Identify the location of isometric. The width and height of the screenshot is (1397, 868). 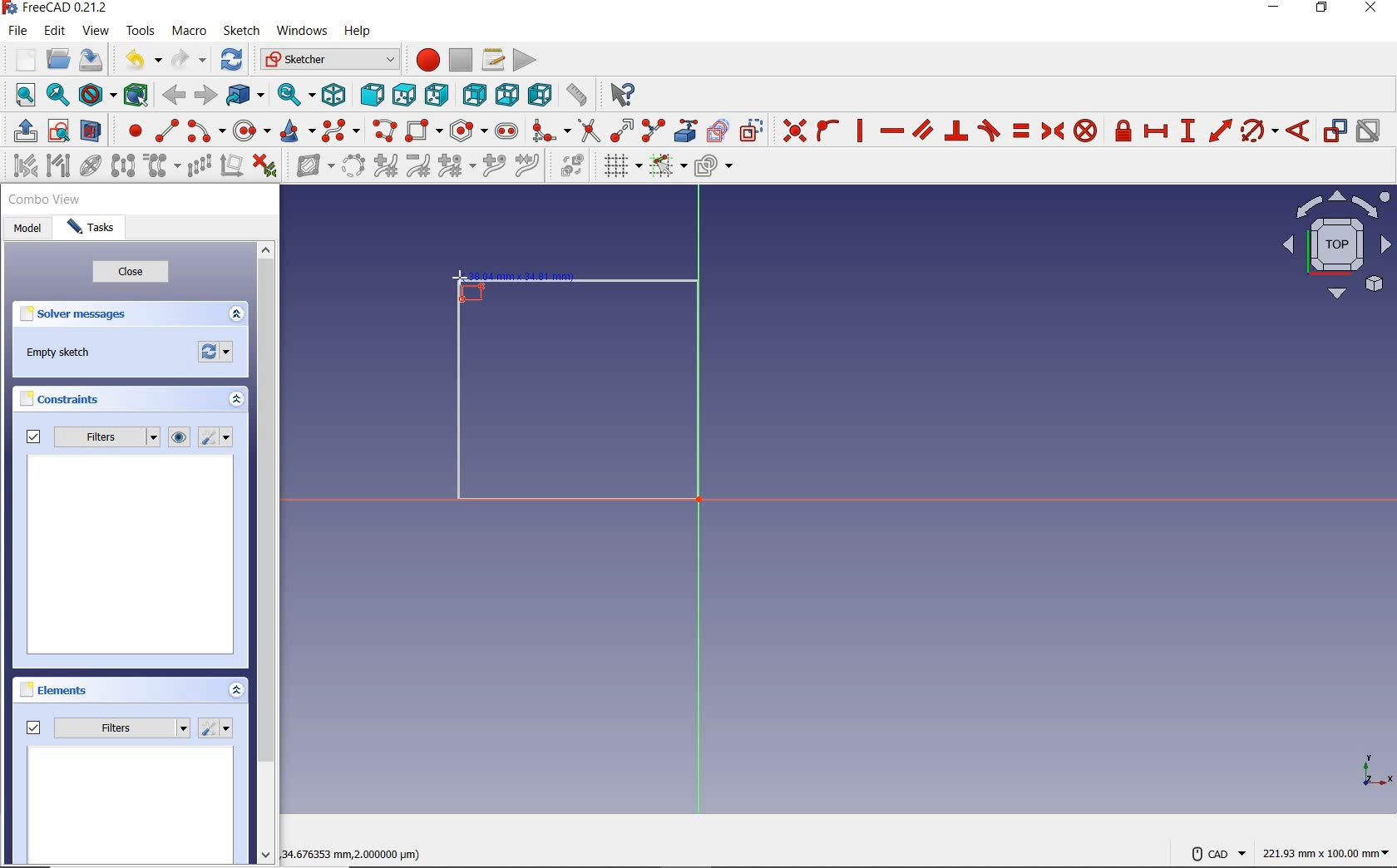
(333, 95).